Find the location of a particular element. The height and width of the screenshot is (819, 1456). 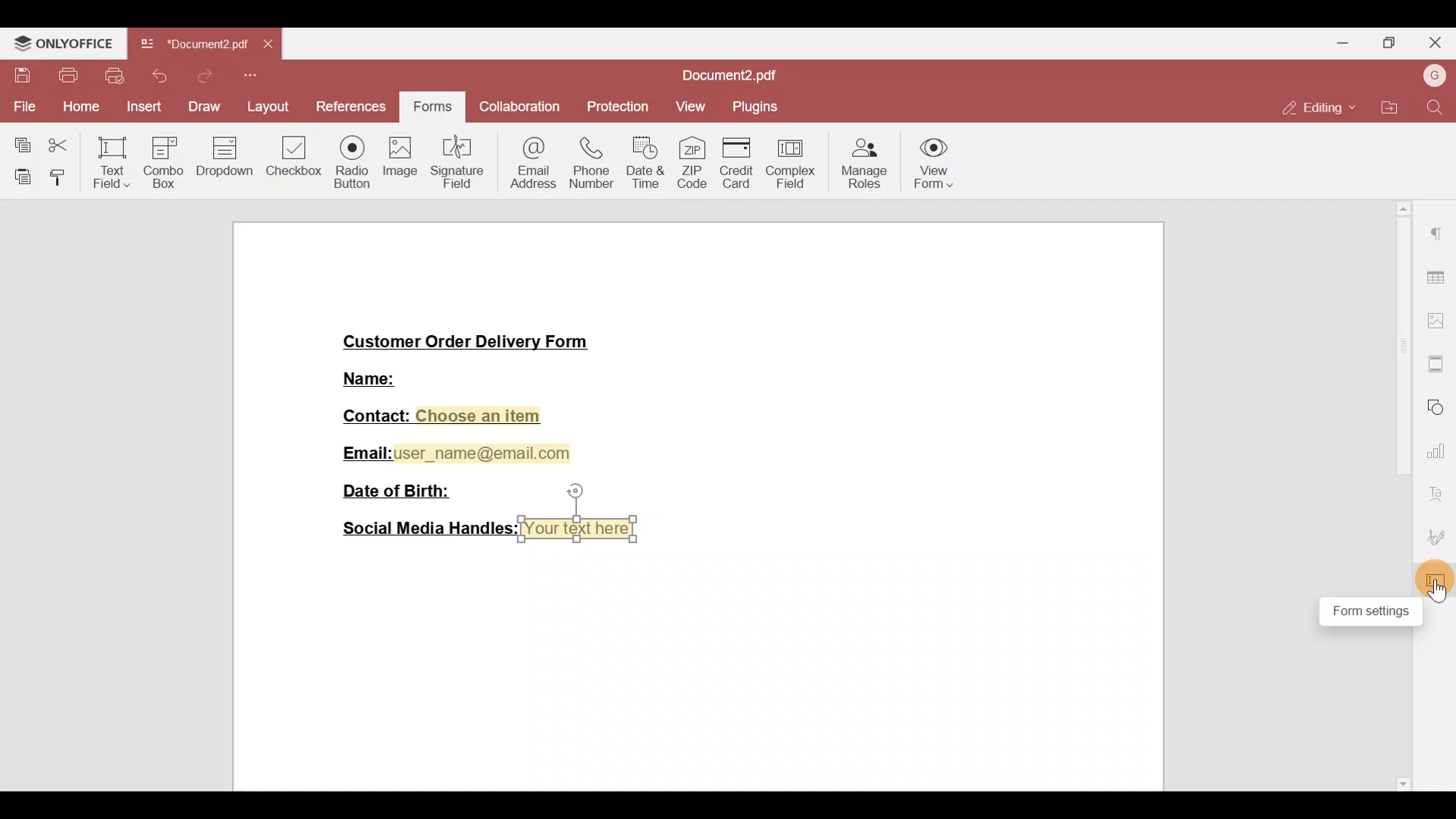

Image is located at coordinates (398, 160).